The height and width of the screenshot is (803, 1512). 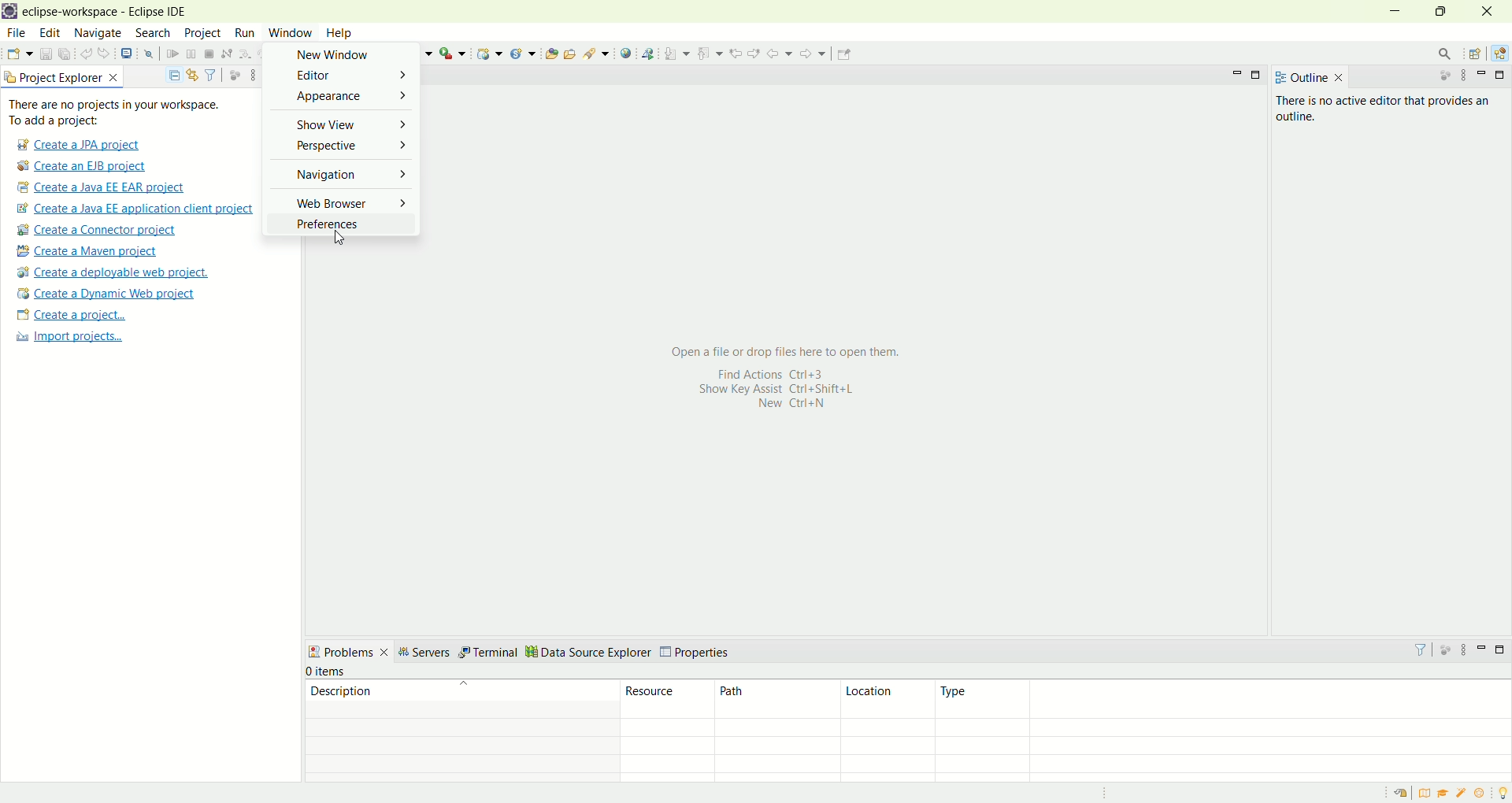 What do you see at coordinates (107, 54) in the screenshot?
I see `redo` at bounding box center [107, 54].